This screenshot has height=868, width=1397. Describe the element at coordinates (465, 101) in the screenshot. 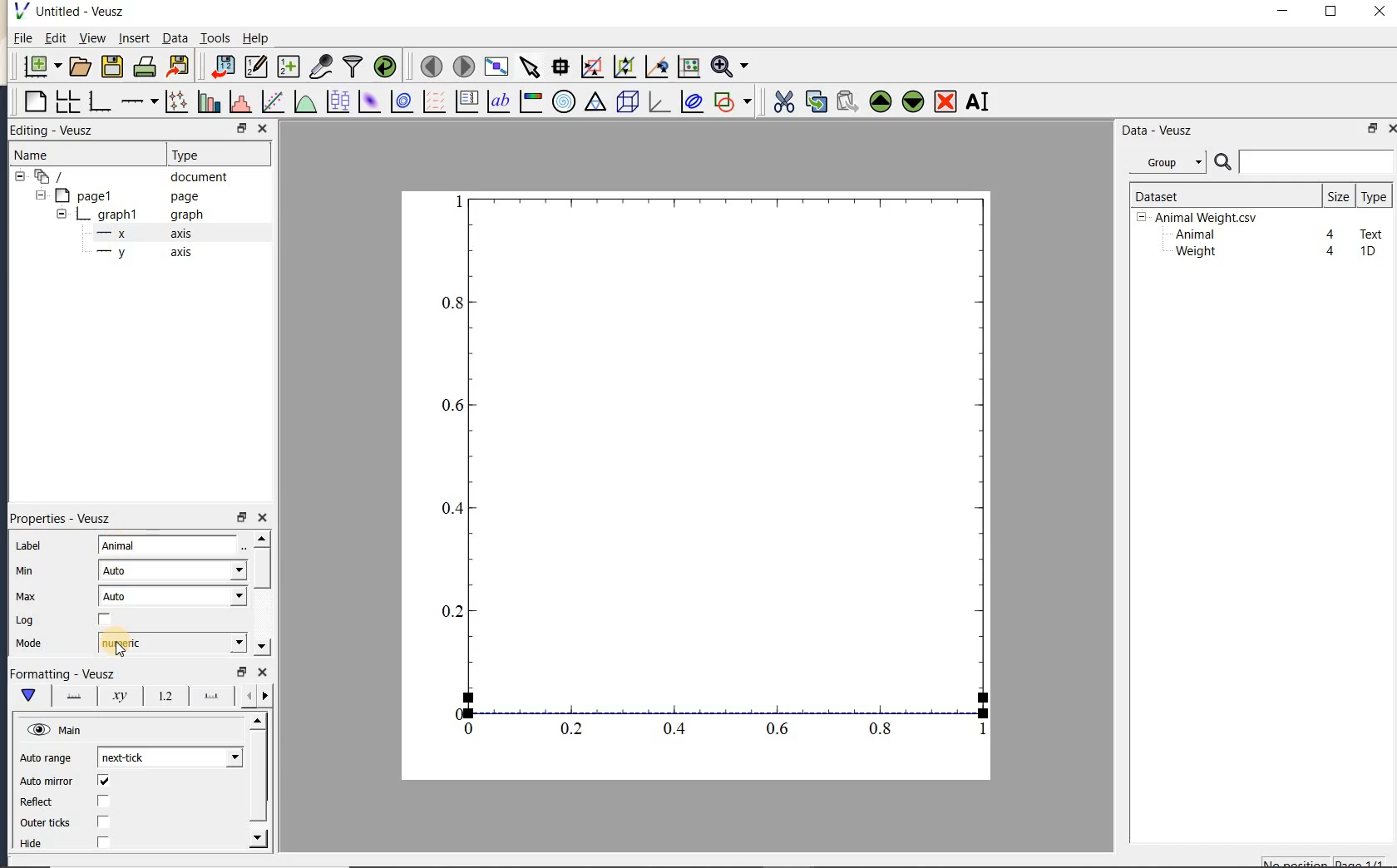

I see `plot key` at that location.